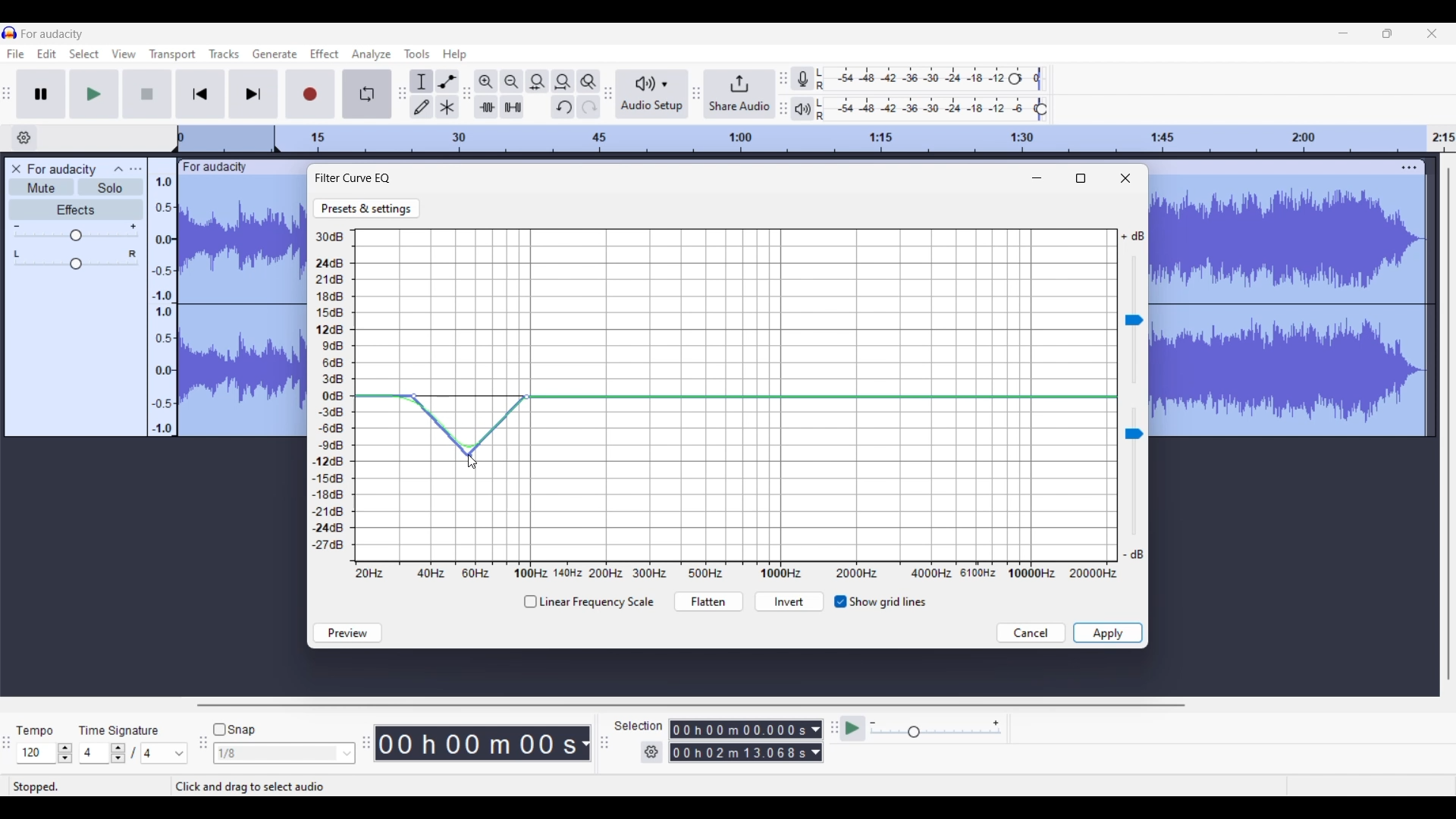 This screenshot has height=819, width=1456. What do you see at coordinates (96, 754) in the screenshot?
I see `Type in time signature` at bounding box center [96, 754].